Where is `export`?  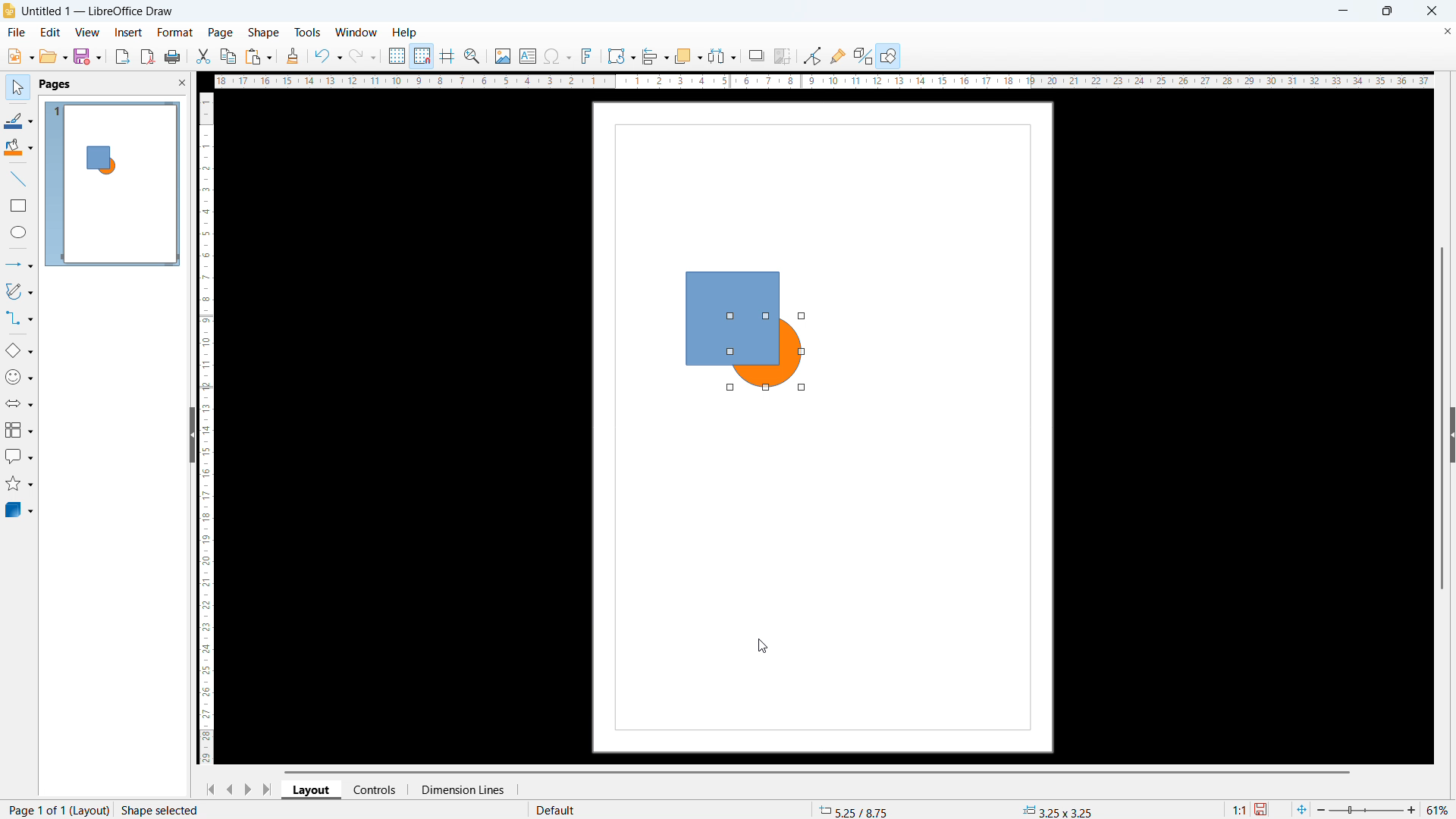
export is located at coordinates (123, 56).